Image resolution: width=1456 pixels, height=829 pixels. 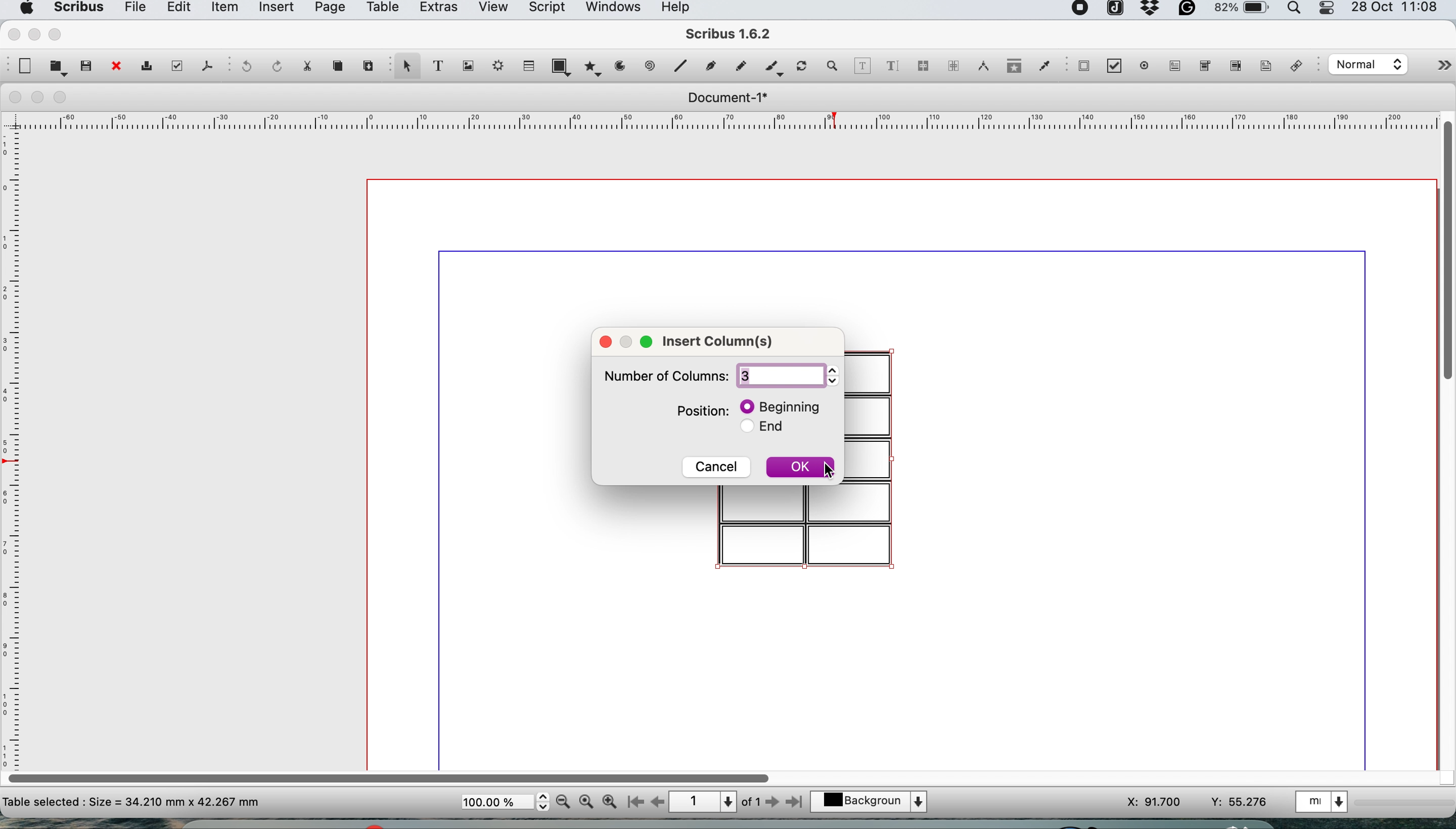 What do you see at coordinates (980, 66) in the screenshot?
I see `measurements` at bounding box center [980, 66].